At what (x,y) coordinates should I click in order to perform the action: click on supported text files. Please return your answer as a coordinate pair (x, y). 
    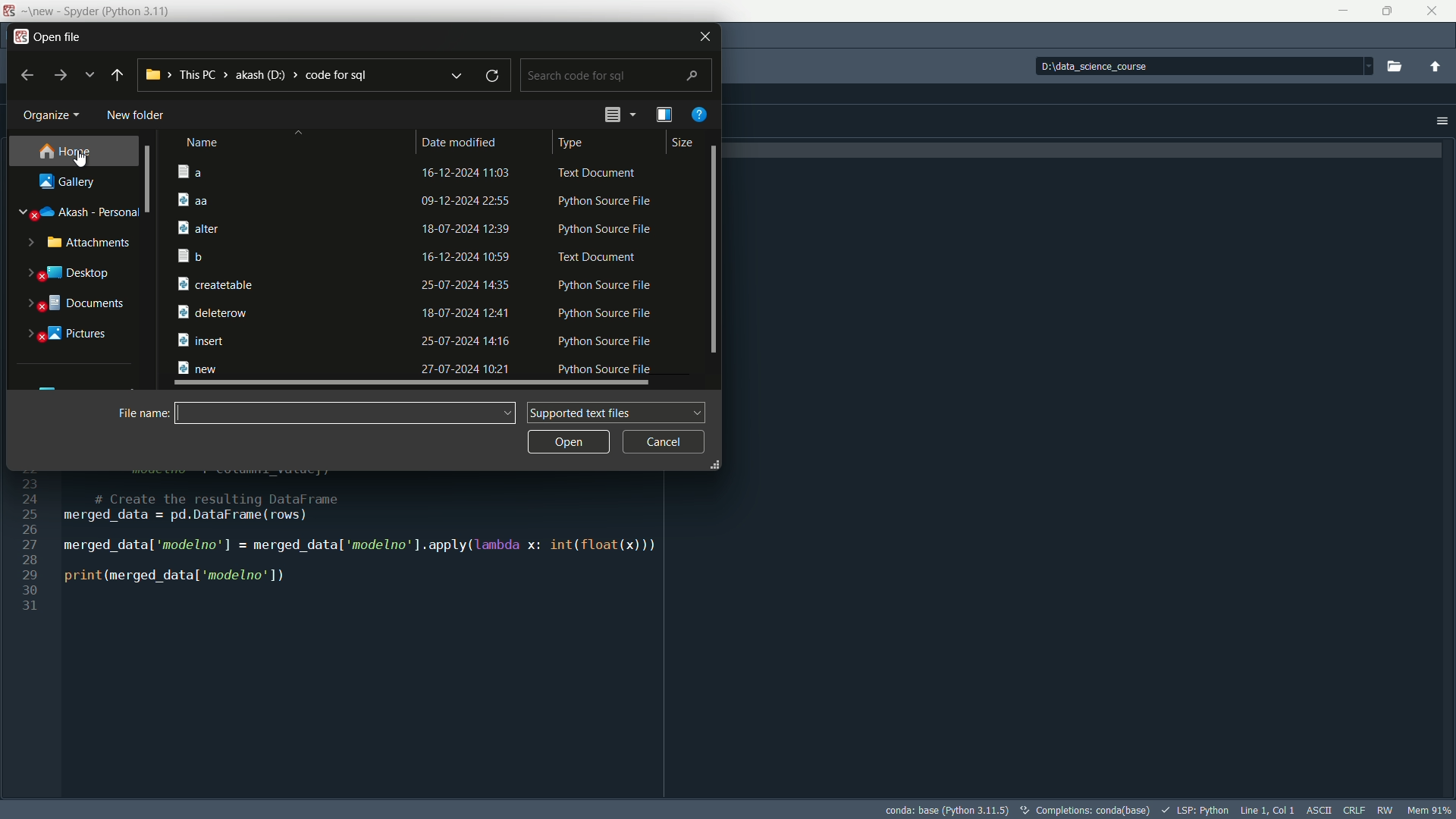
    Looking at the image, I should click on (618, 412).